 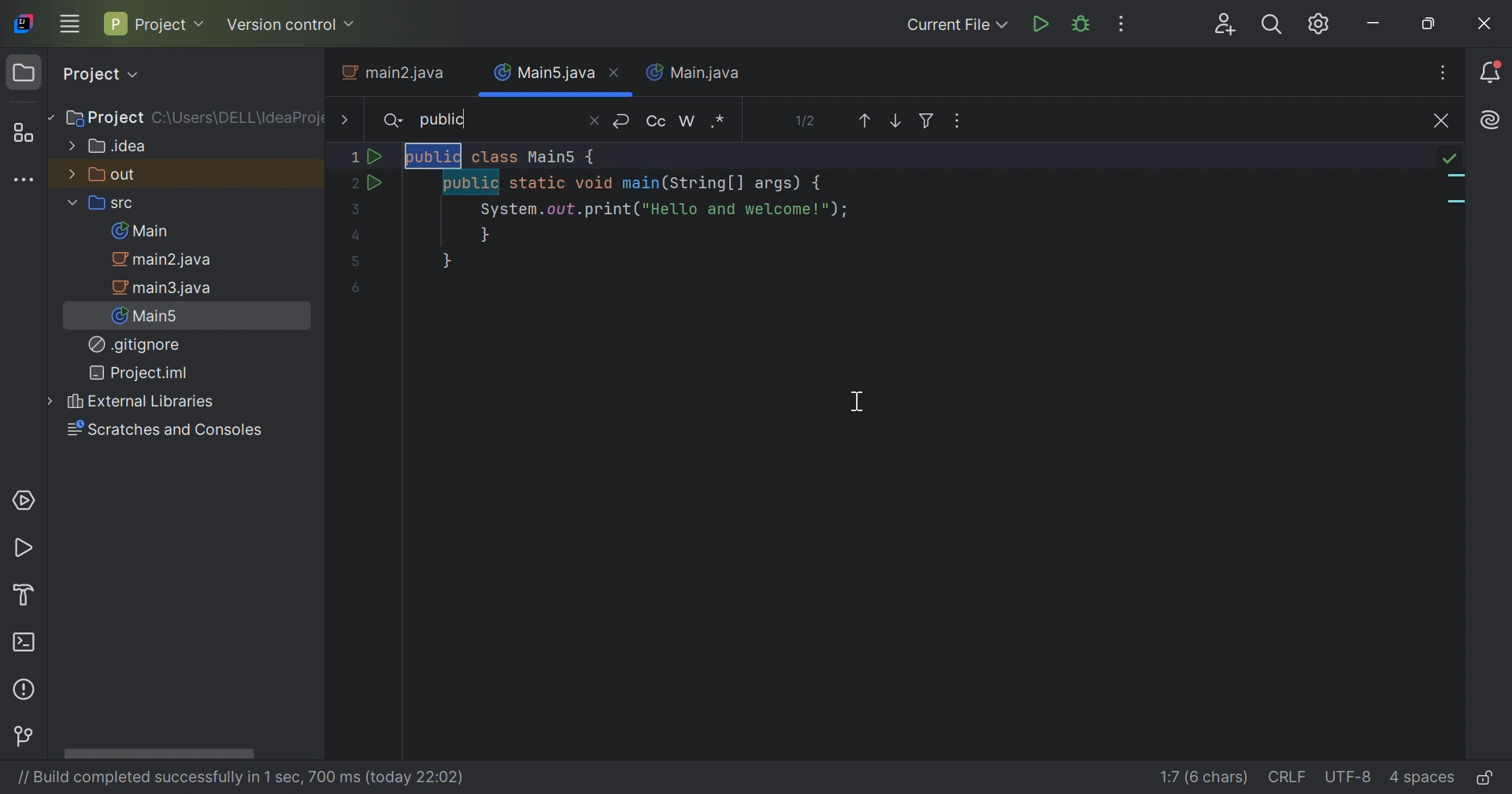 What do you see at coordinates (69, 22) in the screenshot?
I see `Main Menu` at bounding box center [69, 22].